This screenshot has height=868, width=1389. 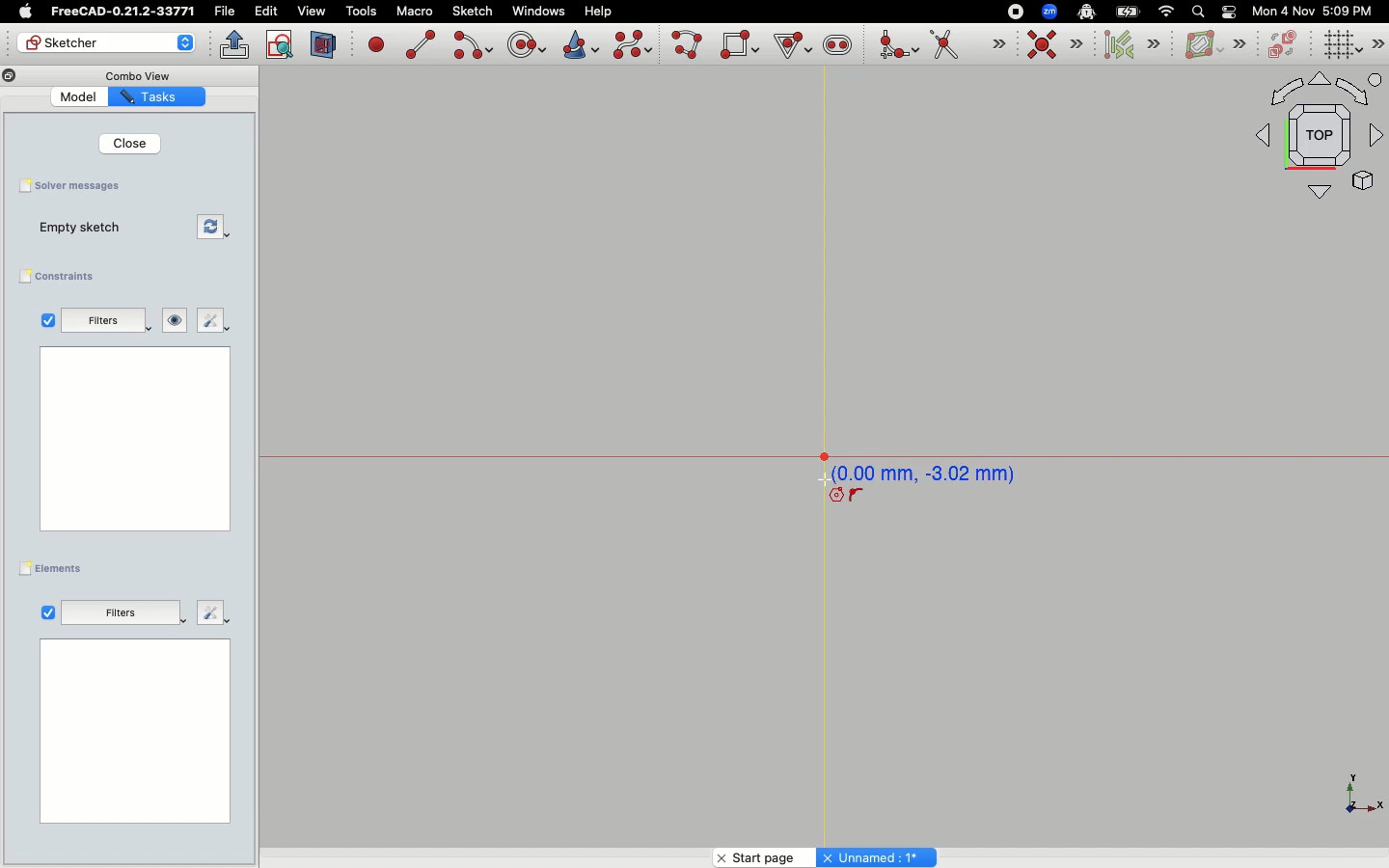 I want to click on Leave sketch, so click(x=235, y=44).